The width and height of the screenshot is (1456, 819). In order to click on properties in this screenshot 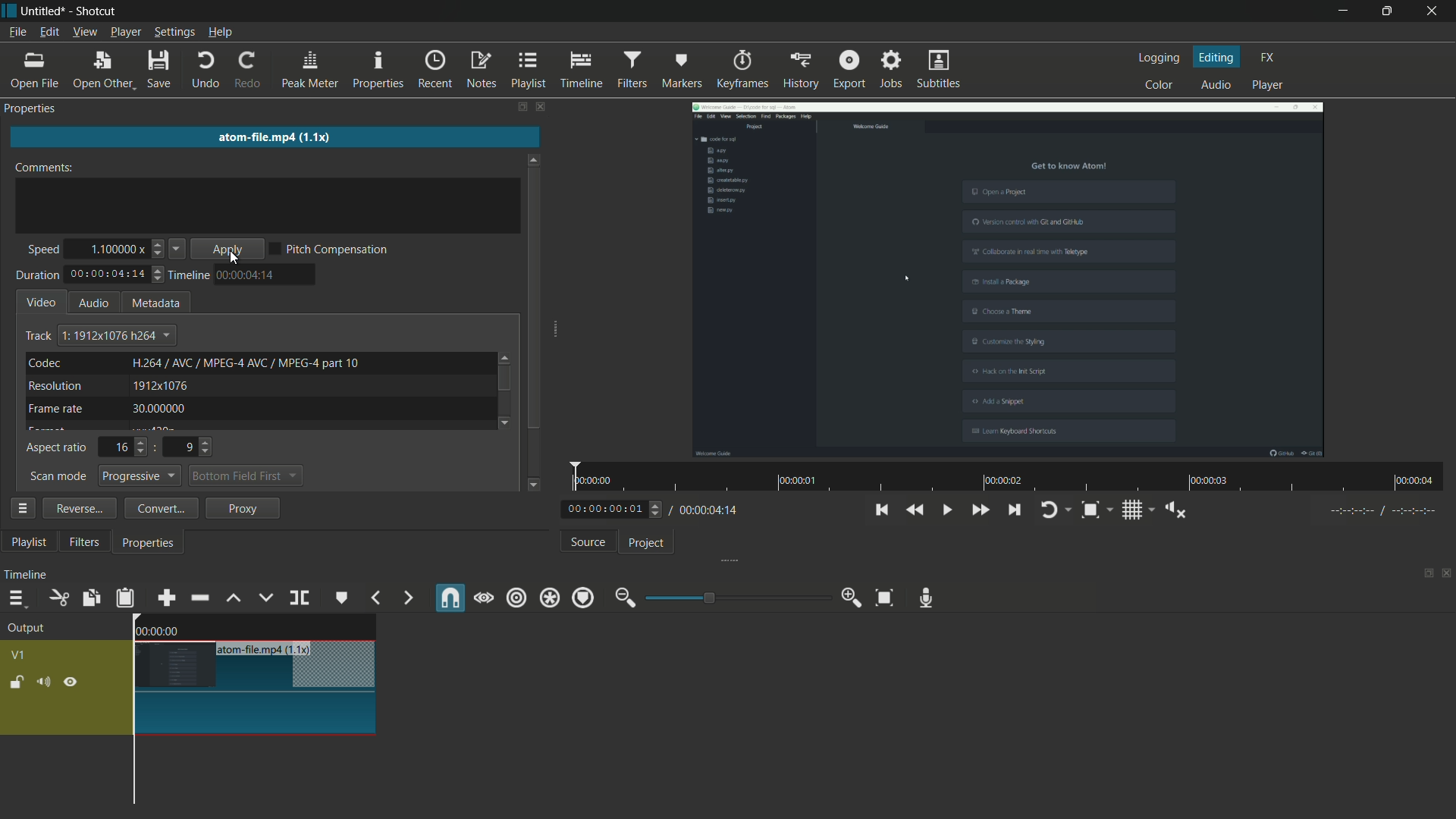, I will do `click(33, 108)`.